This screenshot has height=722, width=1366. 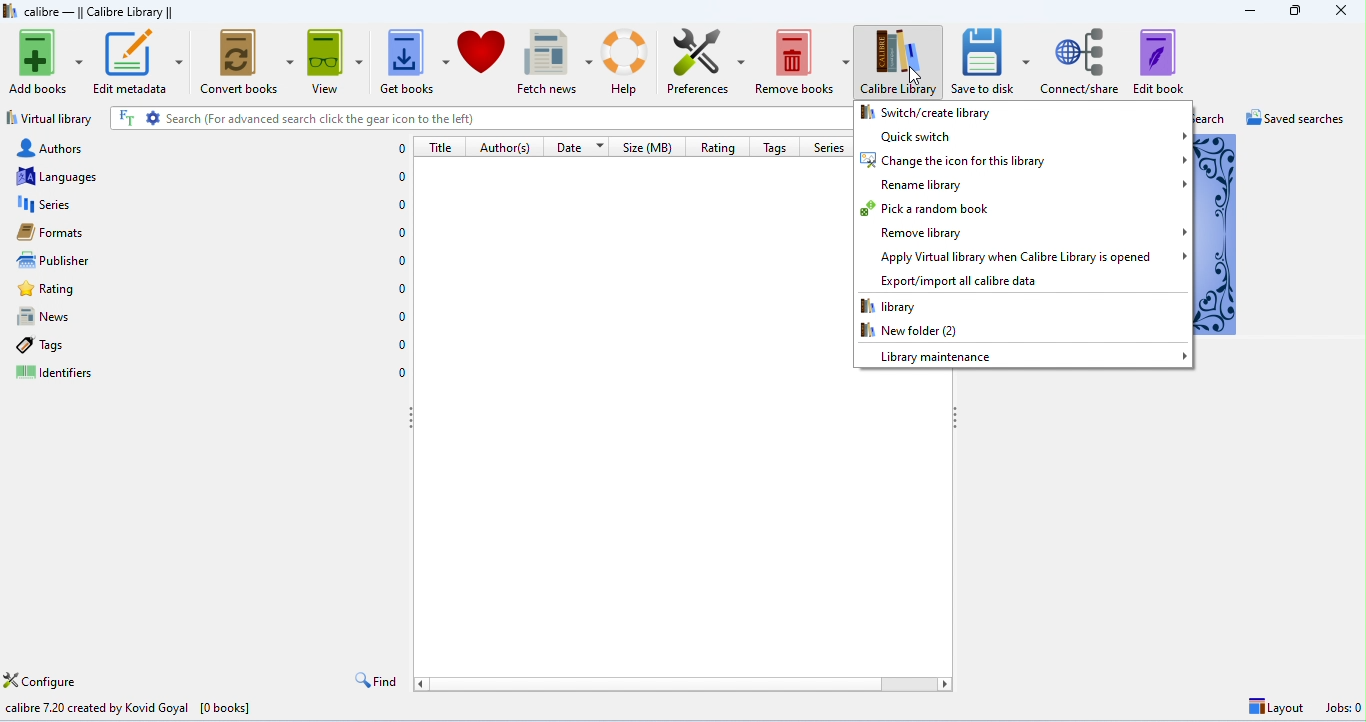 I want to click on drag to expand or collapse, so click(x=958, y=418).